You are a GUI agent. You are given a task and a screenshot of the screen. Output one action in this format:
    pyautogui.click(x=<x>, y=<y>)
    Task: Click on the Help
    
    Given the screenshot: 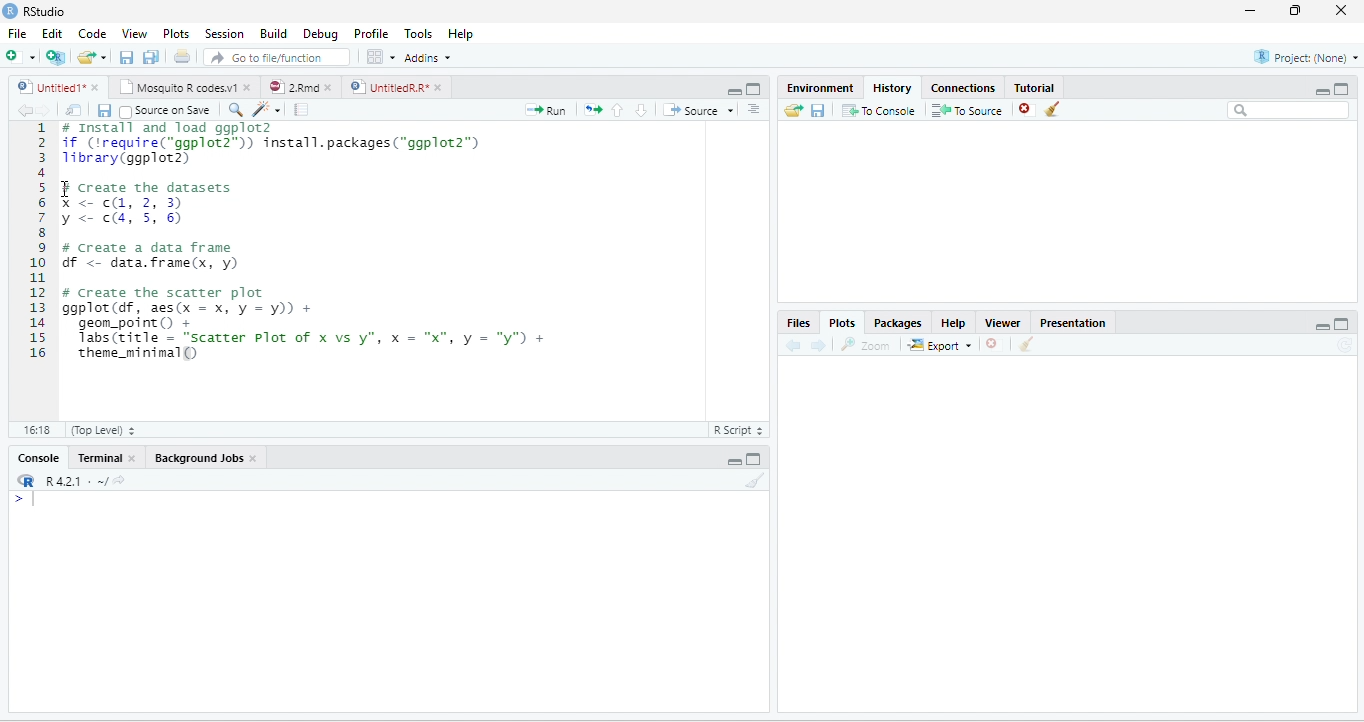 What is the action you would take?
    pyautogui.click(x=953, y=322)
    